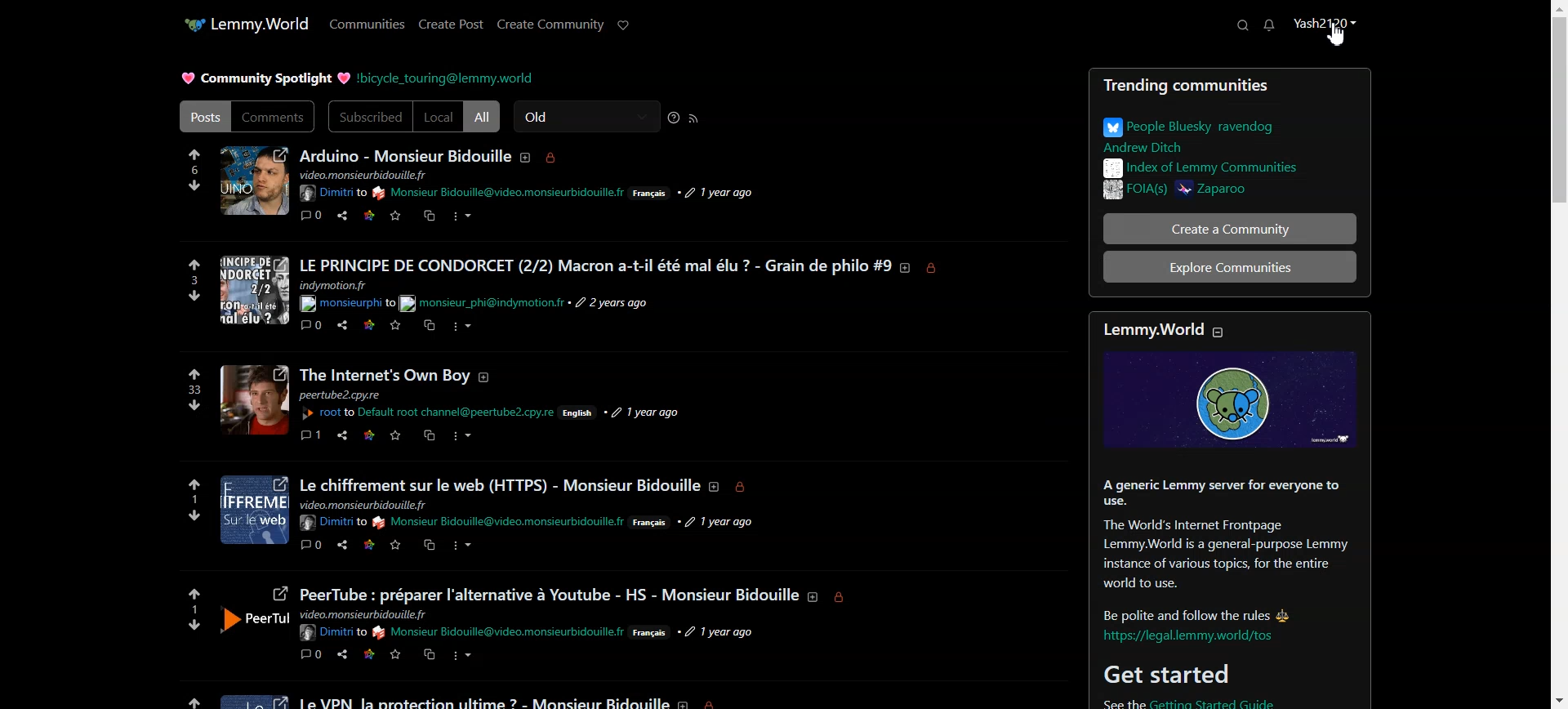 Image resolution: width=1568 pixels, height=709 pixels. I want to click on upvotes, so click(188, 263).